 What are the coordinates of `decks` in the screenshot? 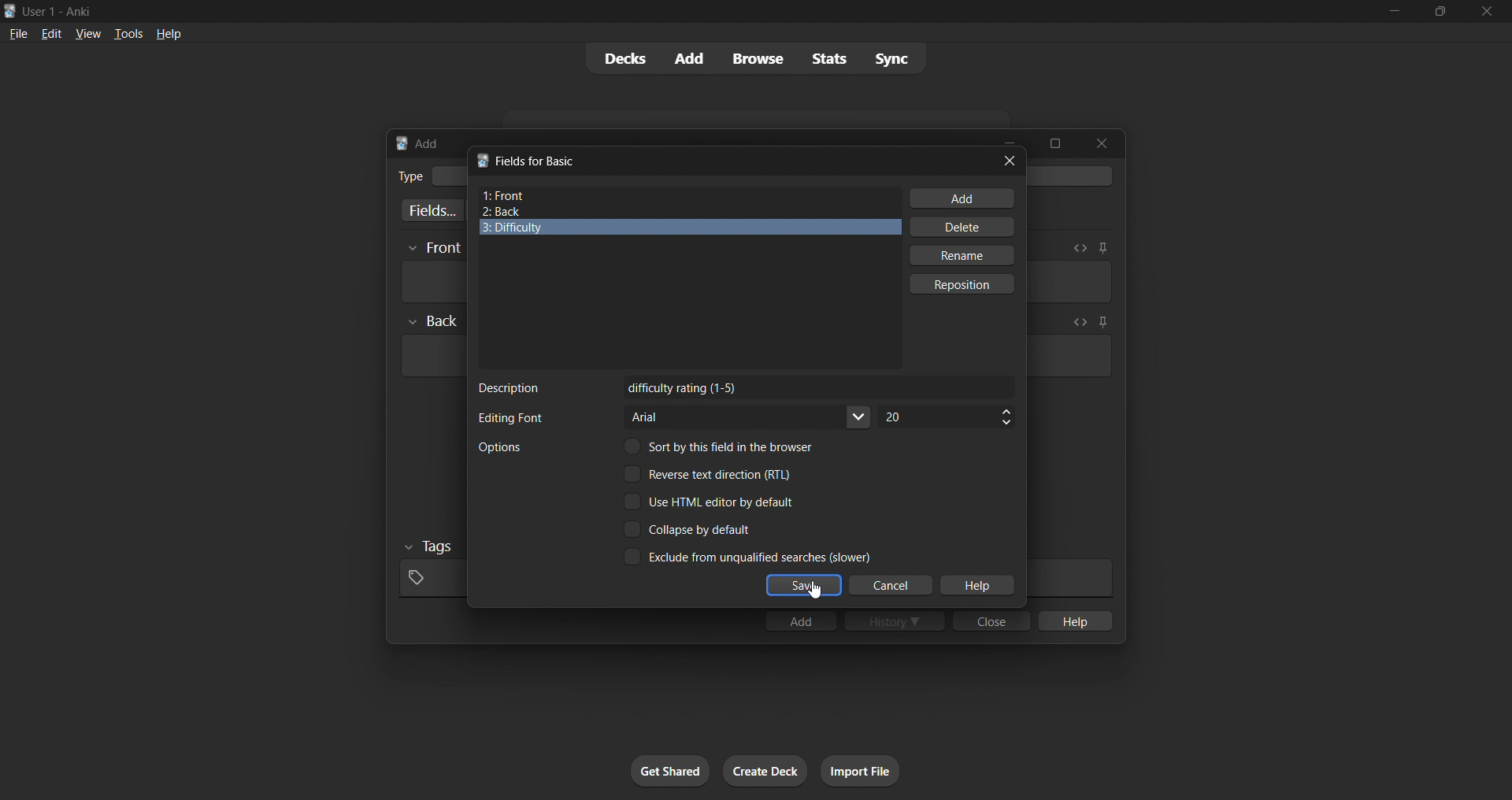 It's located at (623, 59).